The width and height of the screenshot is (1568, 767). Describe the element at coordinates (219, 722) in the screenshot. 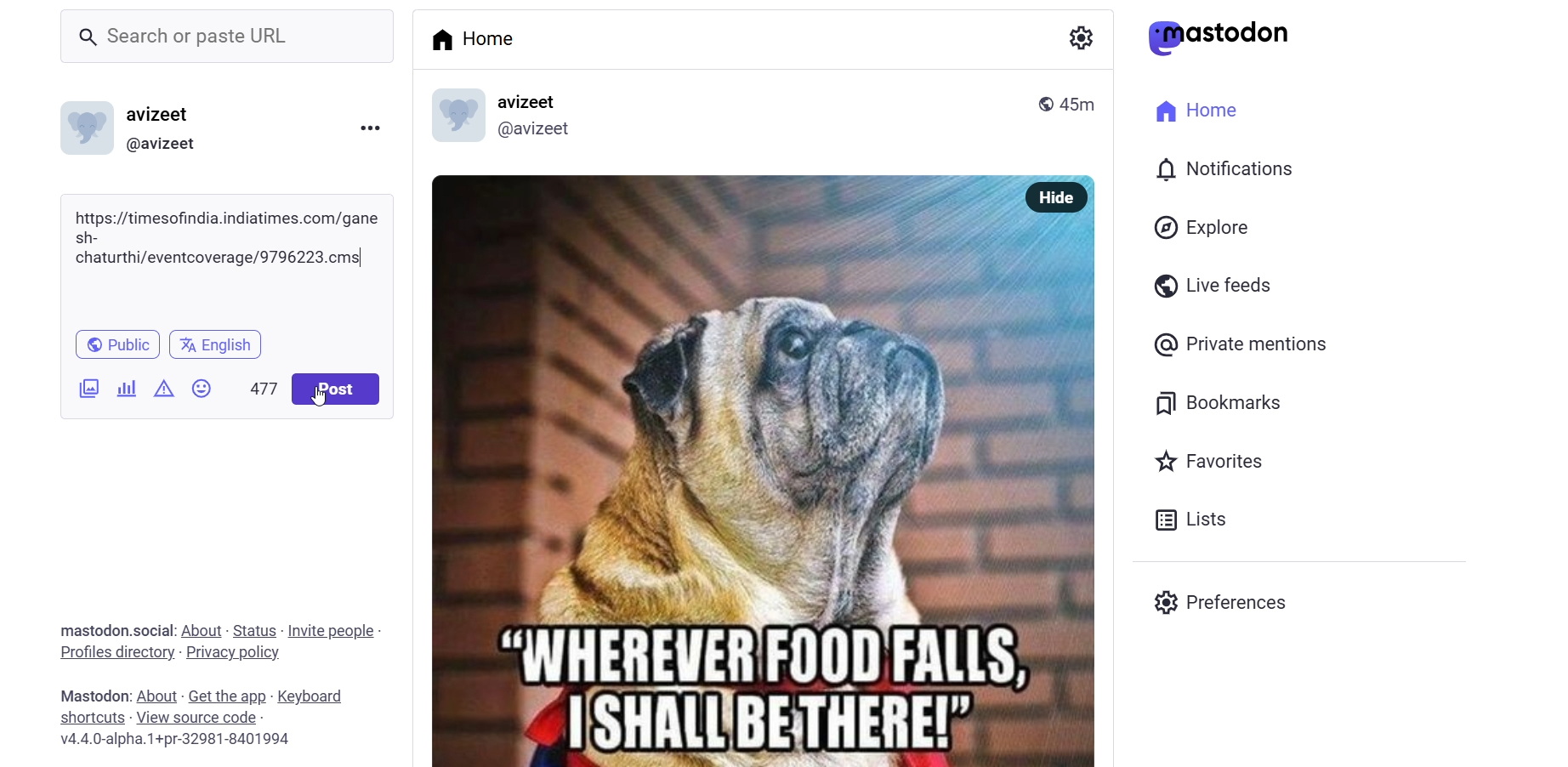

I see `Mastodon: About - Get the app - Keyboard
shortcuts - View source code
v4.4.0-alpha.1+pr-32981-8401994` at that location.